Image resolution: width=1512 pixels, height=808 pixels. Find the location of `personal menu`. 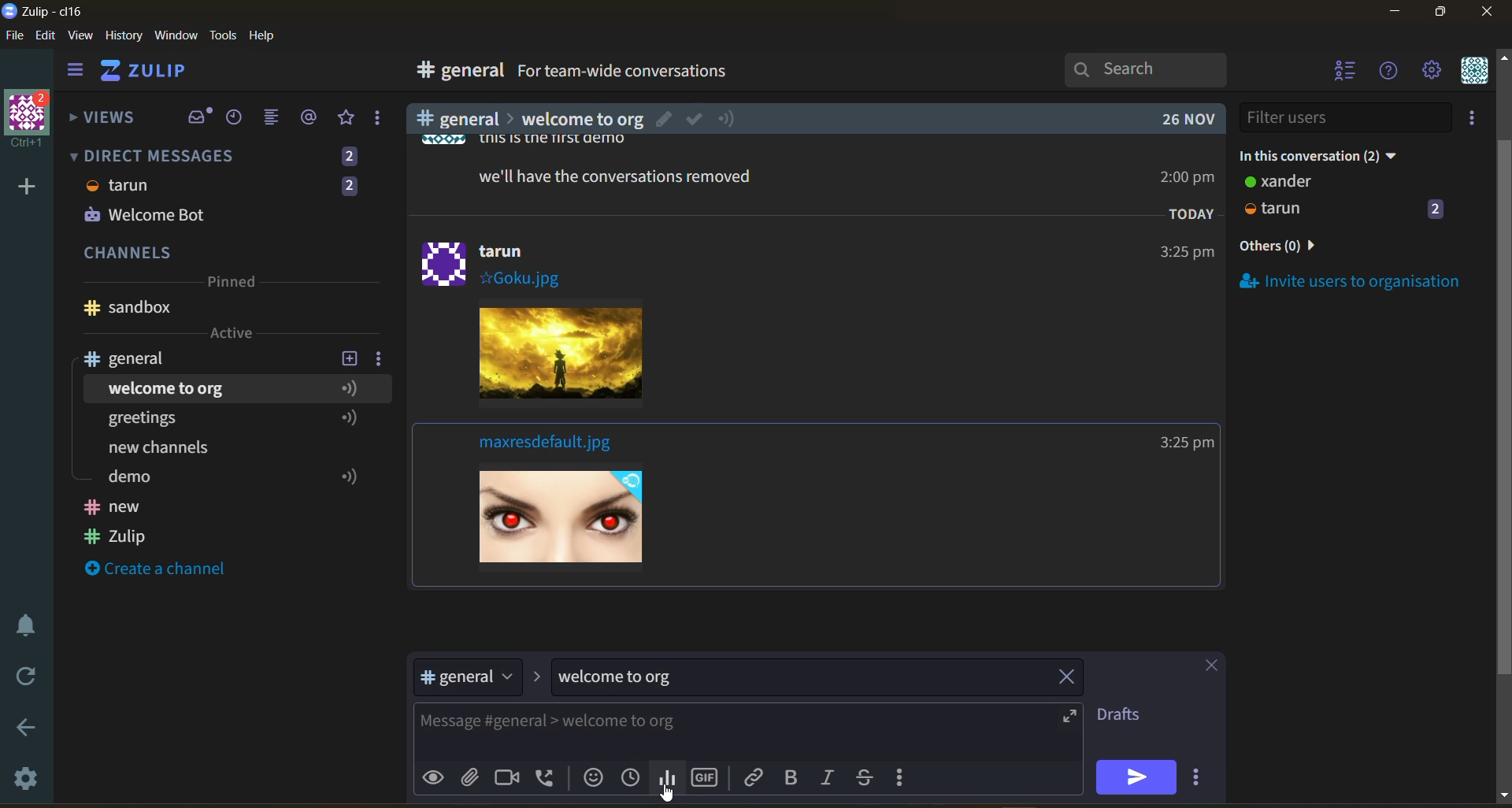

personal menu is located at coordinates (1473, 72).